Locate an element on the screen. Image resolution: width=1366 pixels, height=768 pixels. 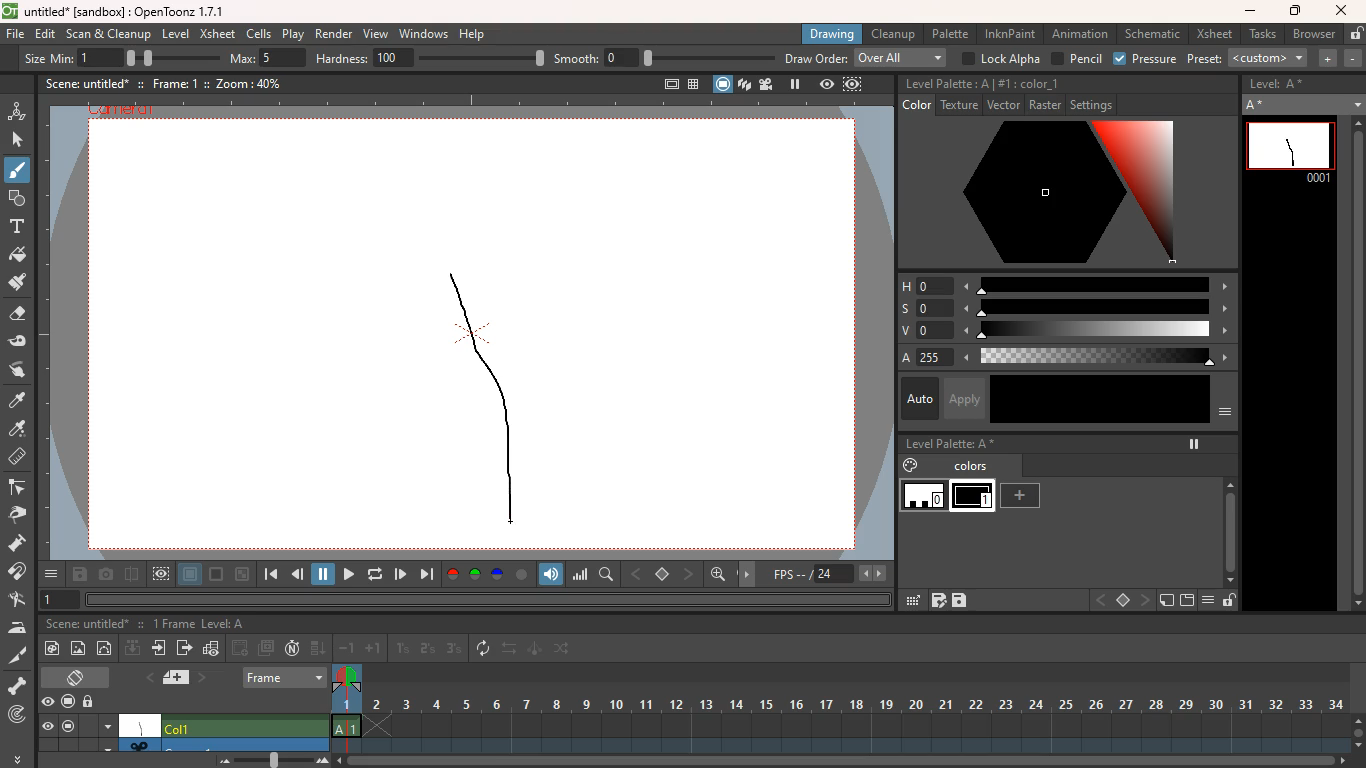
zoom is located at coordinates (844, 761).